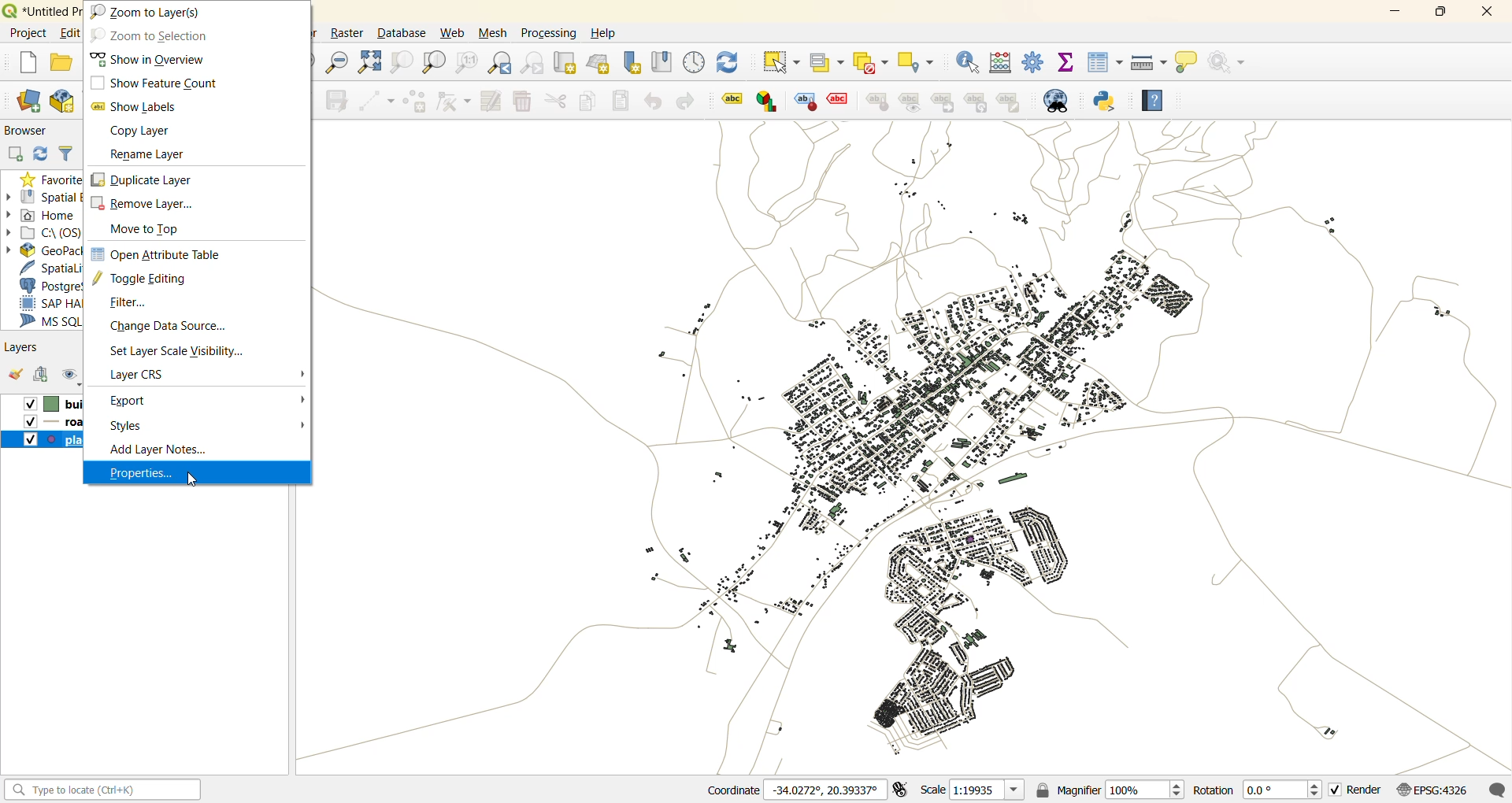 This screenshot has width=1512, height=803. Describe the element at coordinates (377, 102) in the screenshot. I see `digitize` at that location.